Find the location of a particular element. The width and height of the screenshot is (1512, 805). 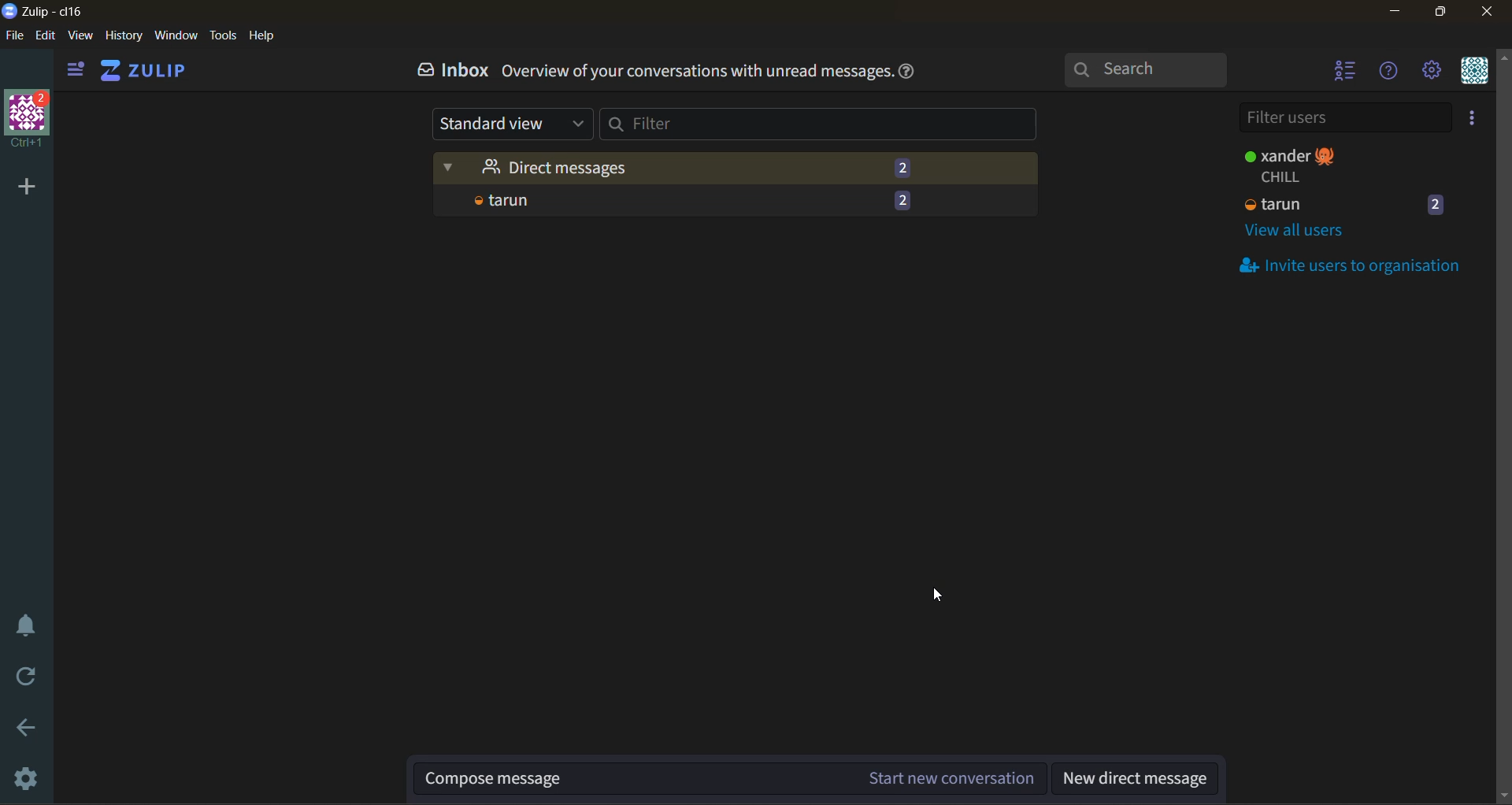

Overview of your conversations with unread messages. is located at coordinates (696, 73).